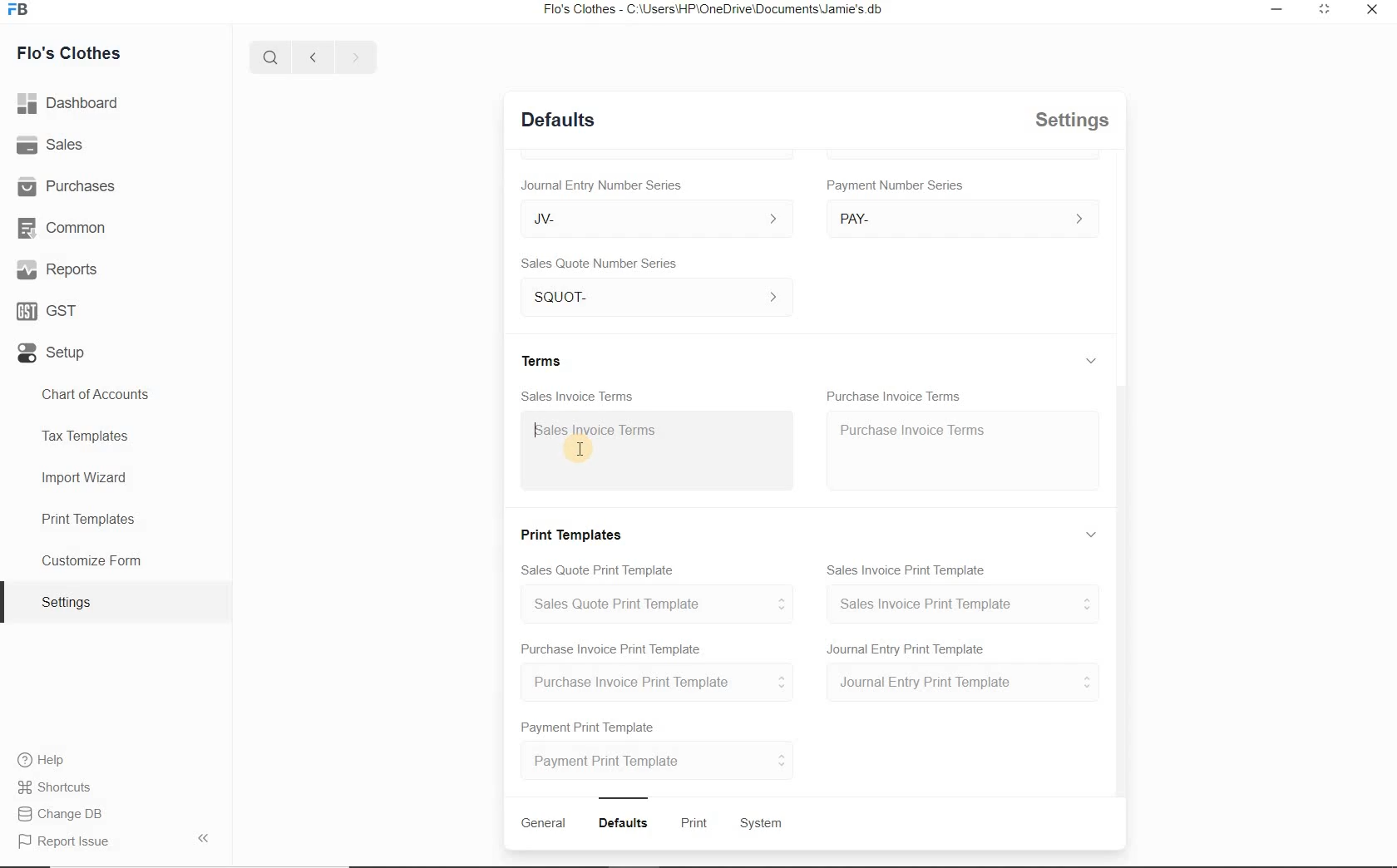 The width and height of the screenshot is (1397, 868). What do you see at coordinates (649, 218) in the screenshot?
I see `JV` at bounding box center [649, 218].